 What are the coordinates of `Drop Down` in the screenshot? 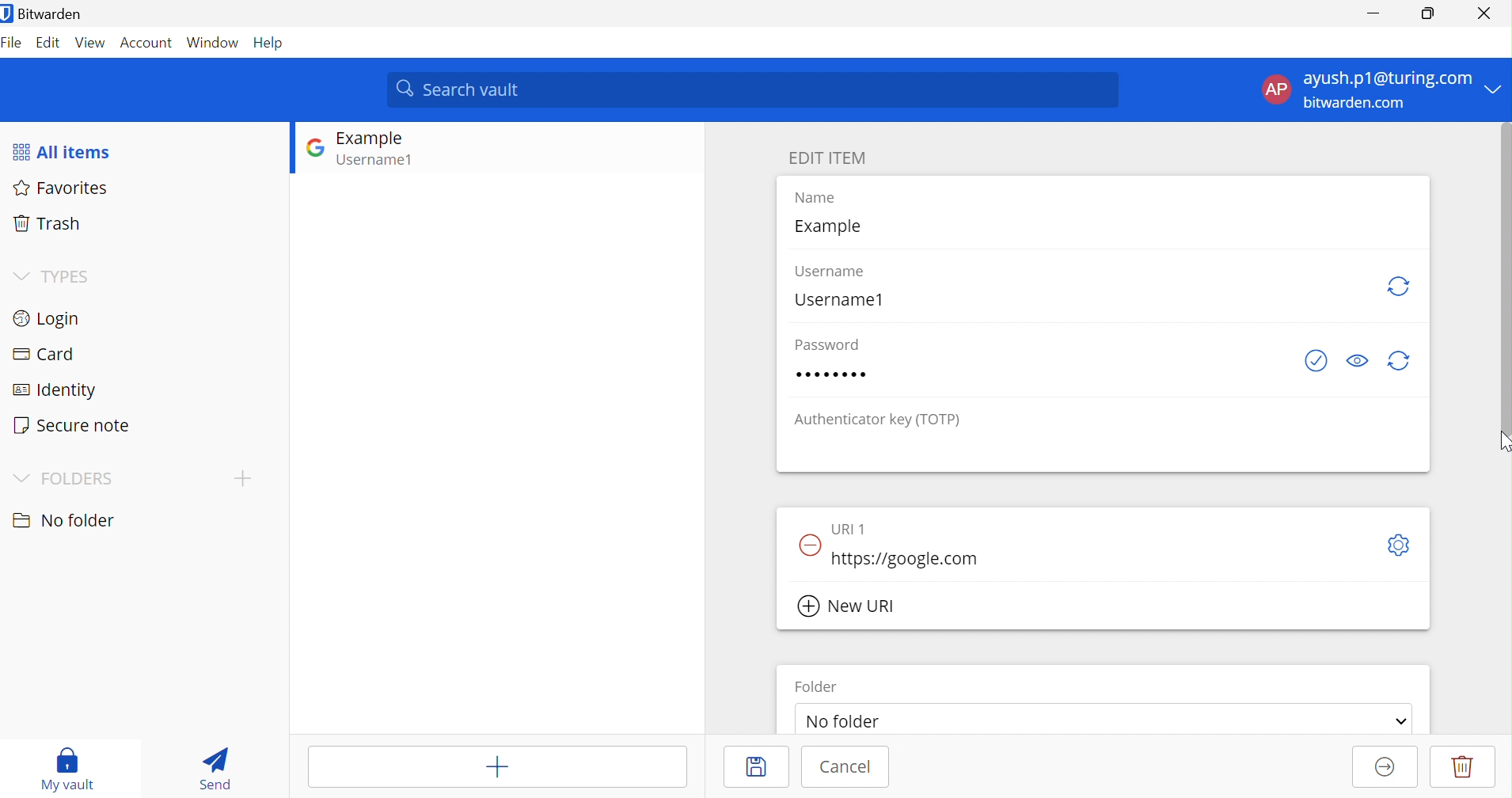 It's located at (18, 475).